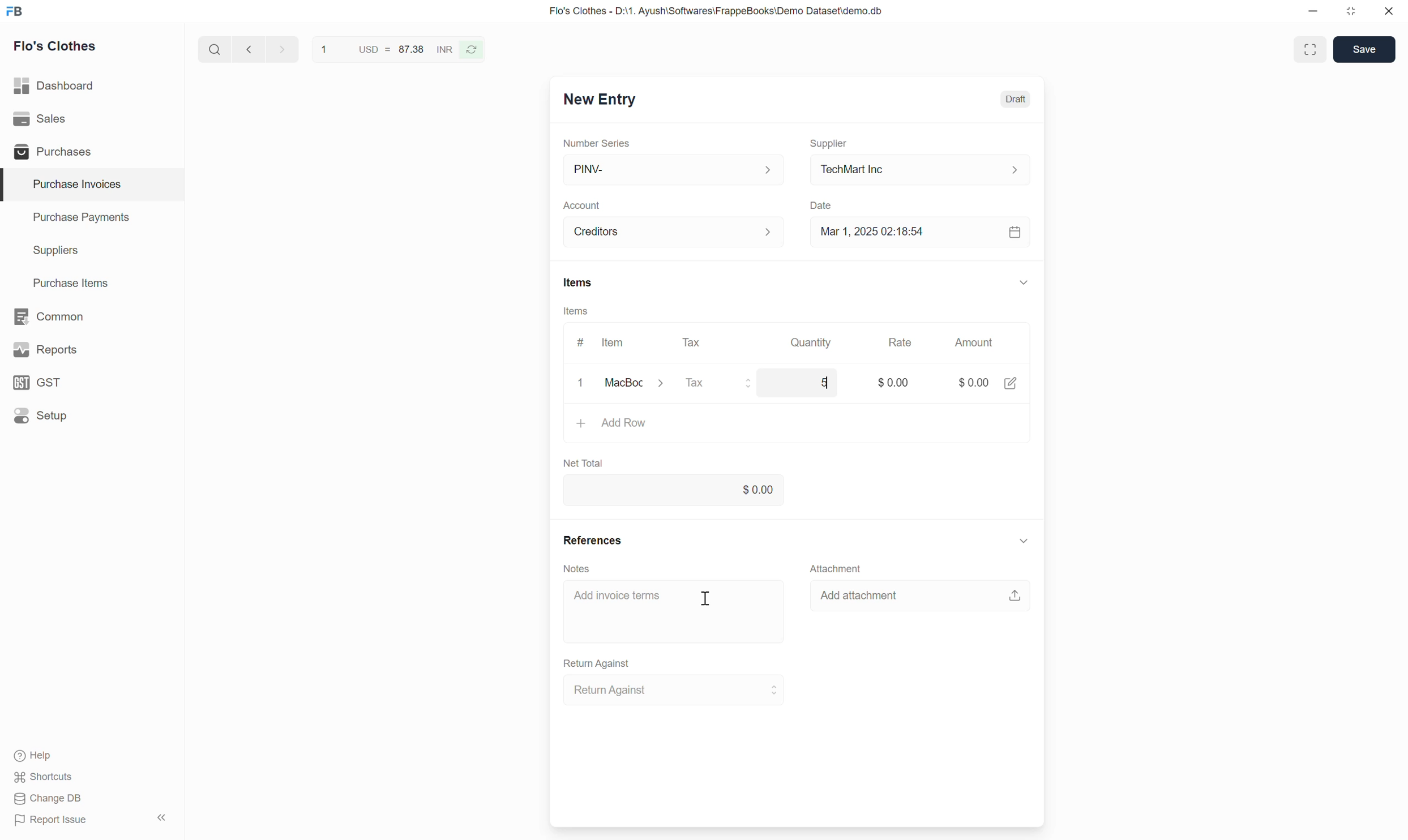  What do you see at coordinates (14, 11) in the screenshot?
I see `Frappe Books logo` at bounding box center [14, 11].